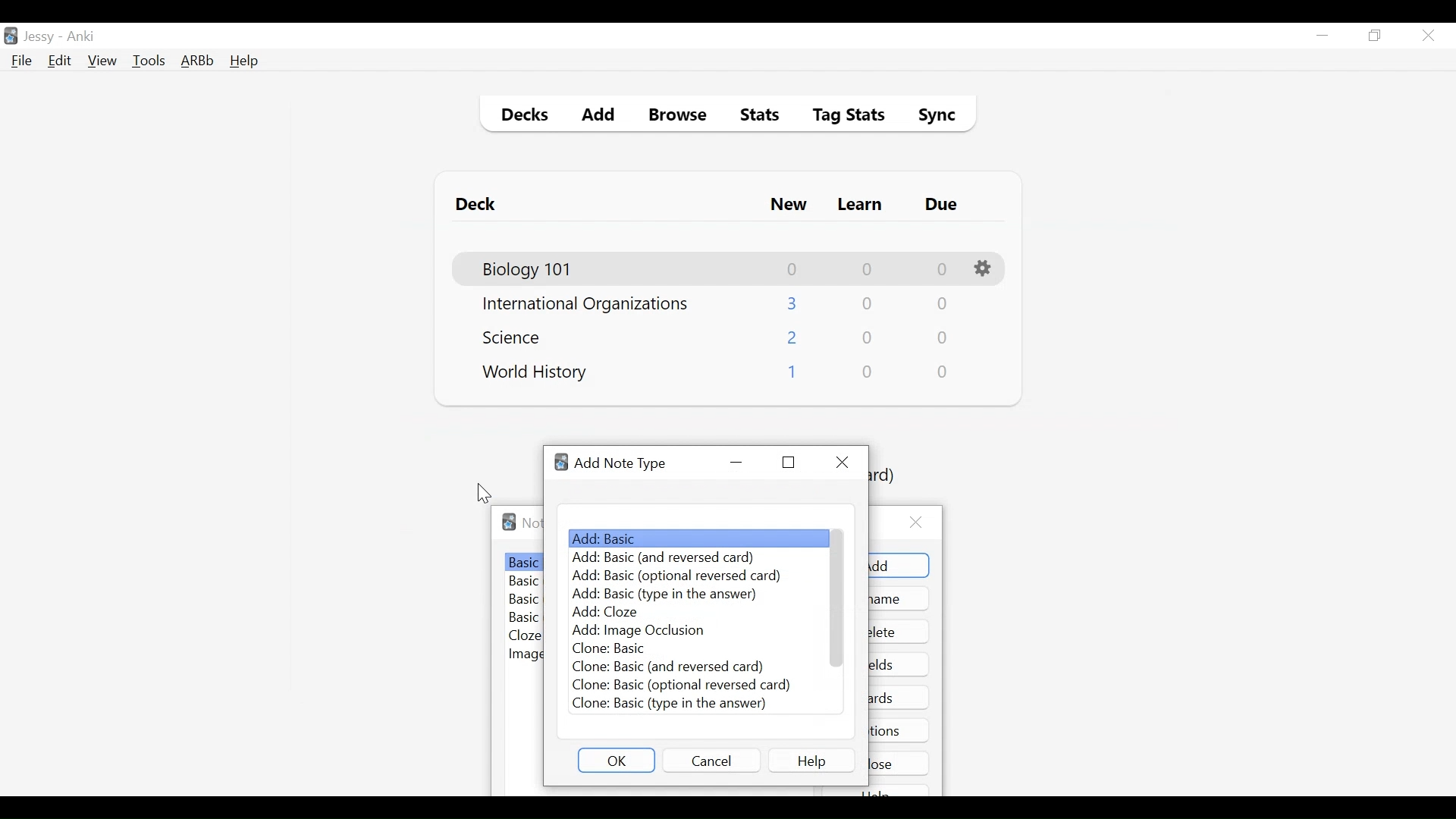  What do you see at coordinates (524, 601) in the screenshot?
I see `Basic (optional reversed card) (number of notes)` at bounding box center [524, 601].